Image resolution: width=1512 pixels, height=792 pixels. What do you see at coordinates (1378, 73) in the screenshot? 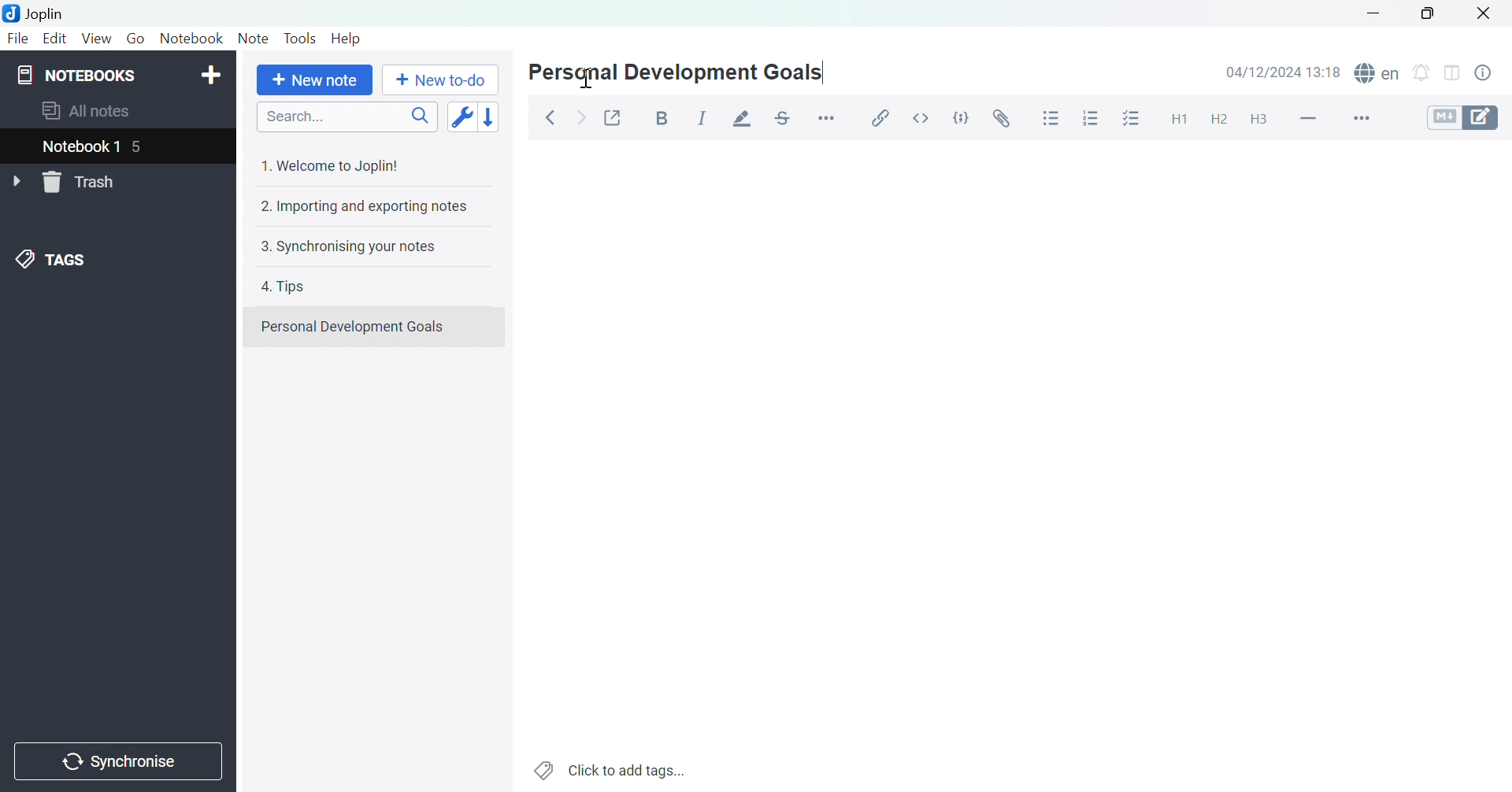
I see `spell checker` at bounding box center [1378, 73].